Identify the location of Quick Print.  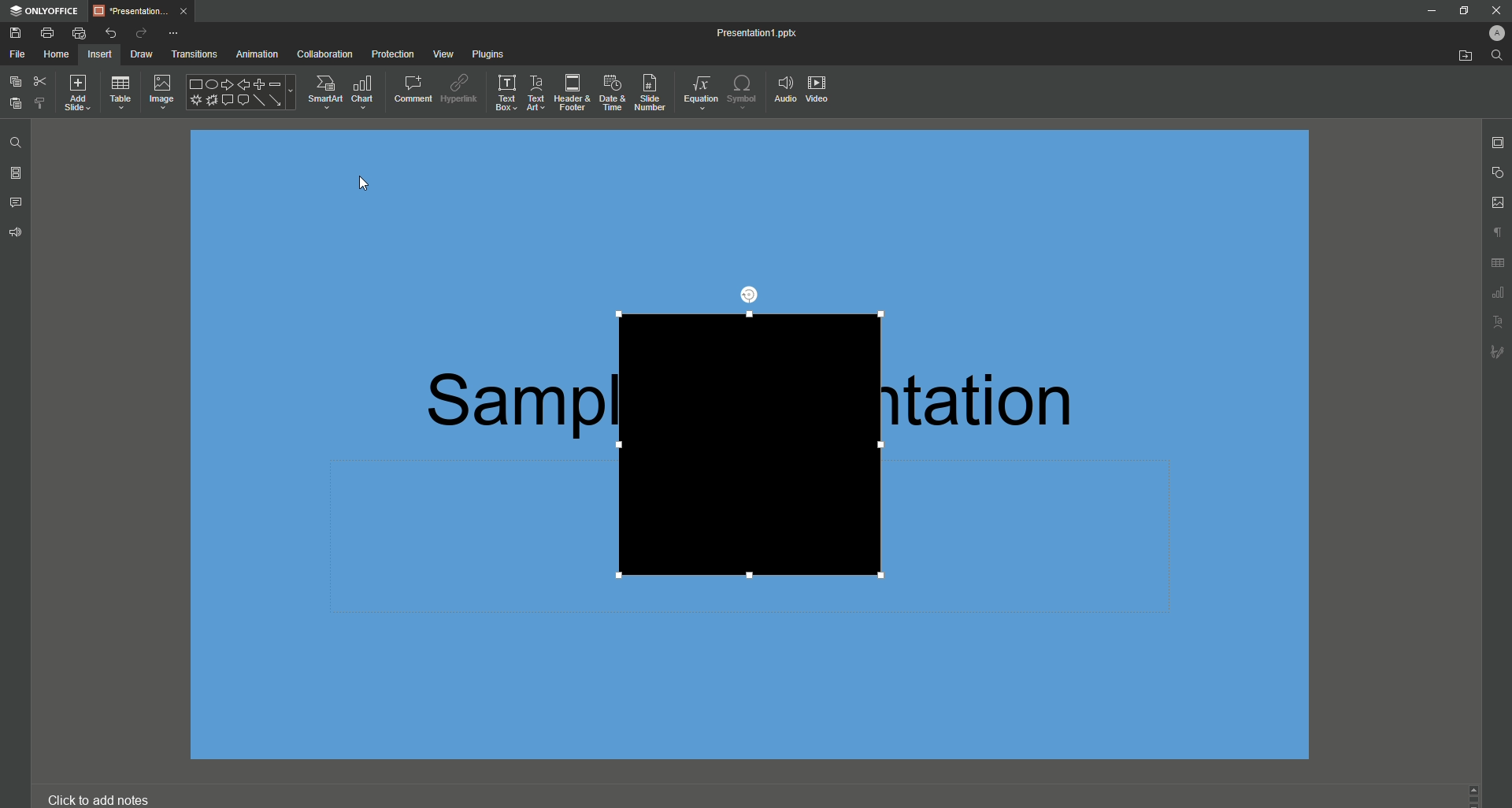
(79, 33).